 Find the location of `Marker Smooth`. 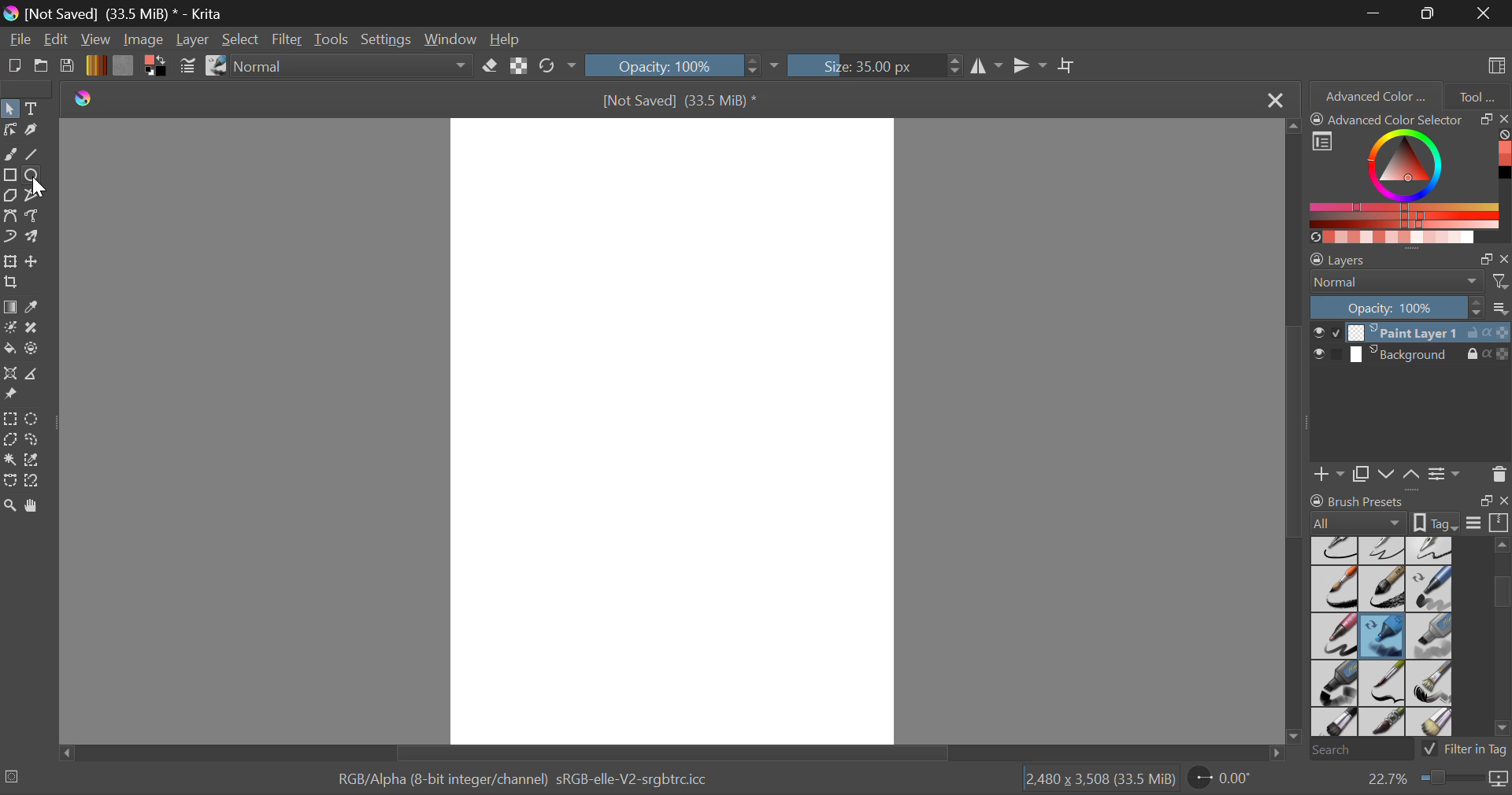

Marker Smooth is located at coordinates (1334, 636).